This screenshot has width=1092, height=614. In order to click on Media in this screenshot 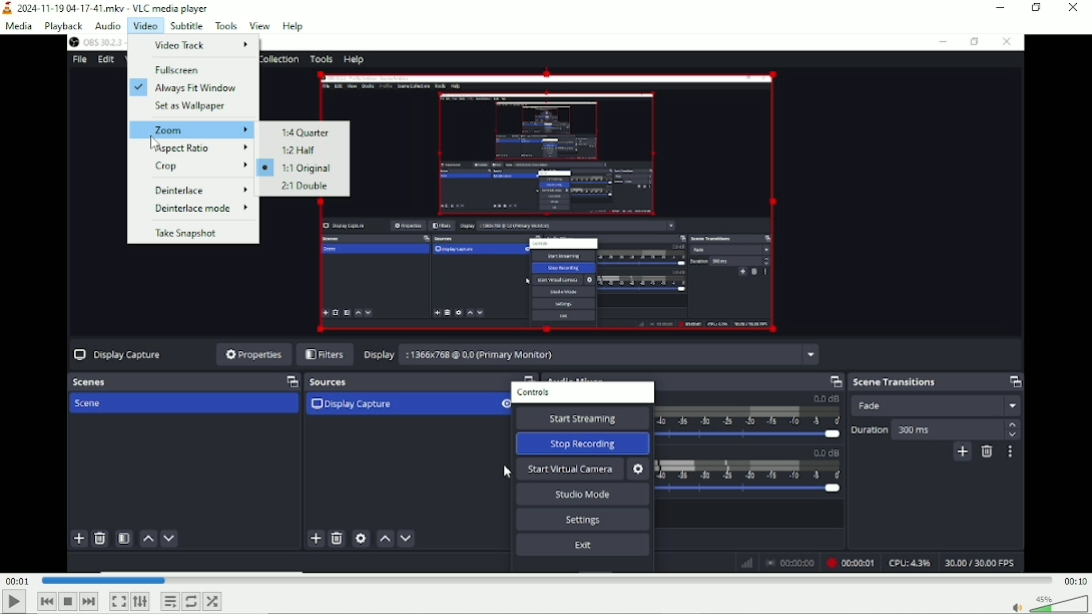, I will do `click(18, 28)`.